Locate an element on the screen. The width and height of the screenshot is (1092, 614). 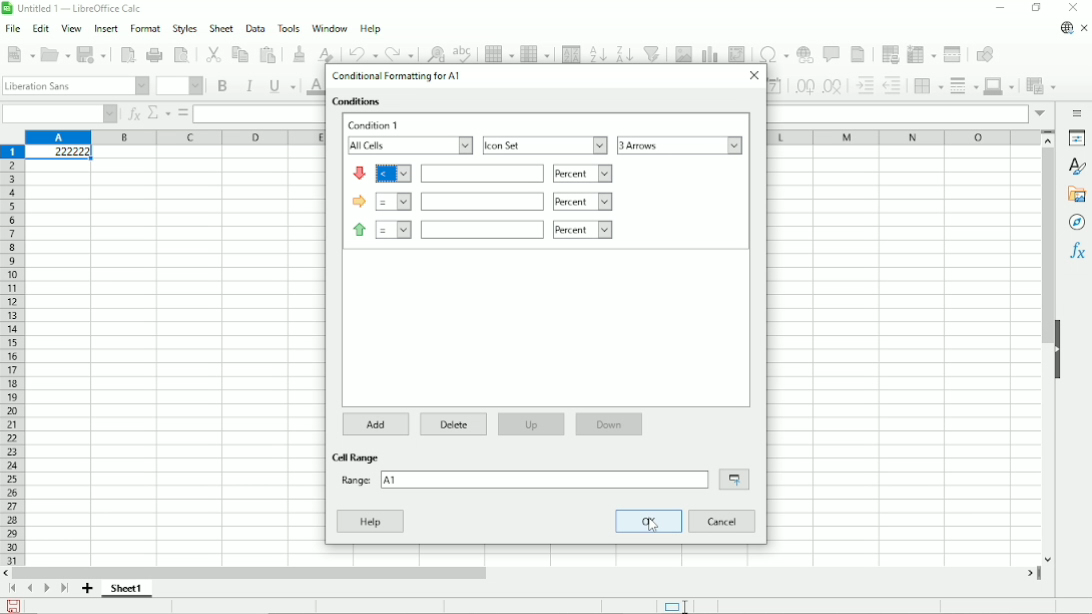
Up is located at coordinates (530, 424).